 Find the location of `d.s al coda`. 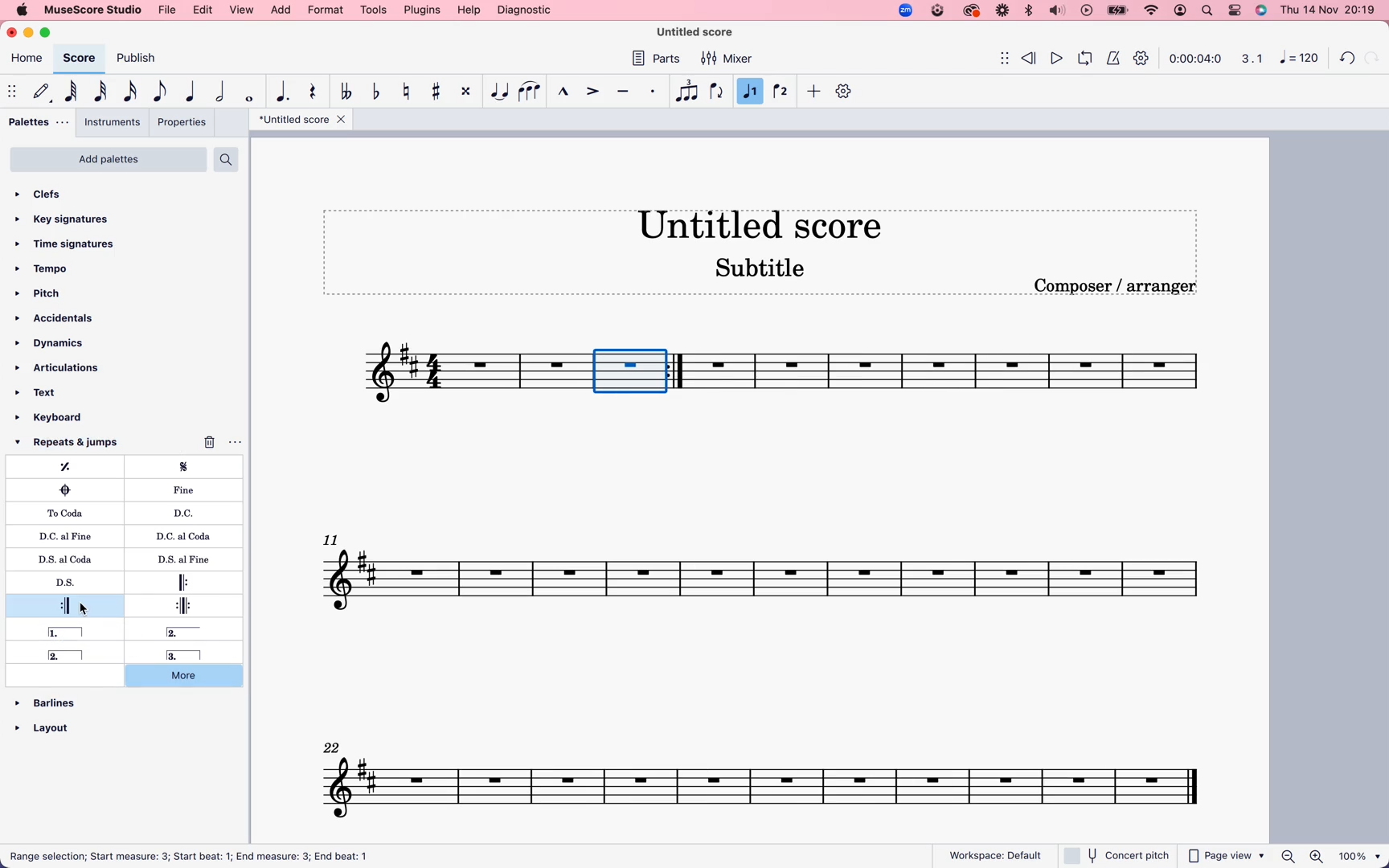

d.s al coda is located at coordinates (71, 558).